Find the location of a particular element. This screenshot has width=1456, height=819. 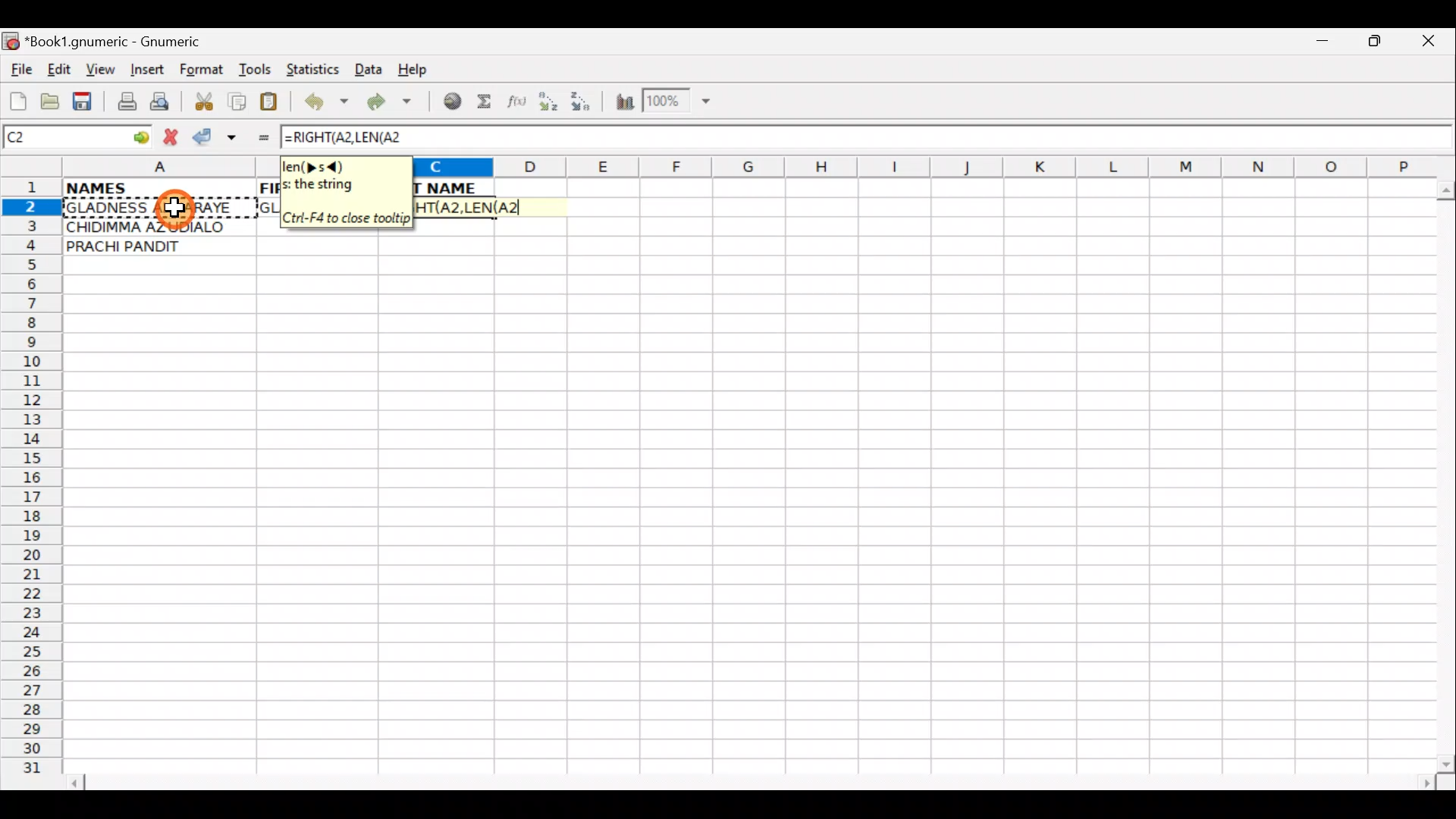

Cell name C2 is located at coordinates (61, 138).